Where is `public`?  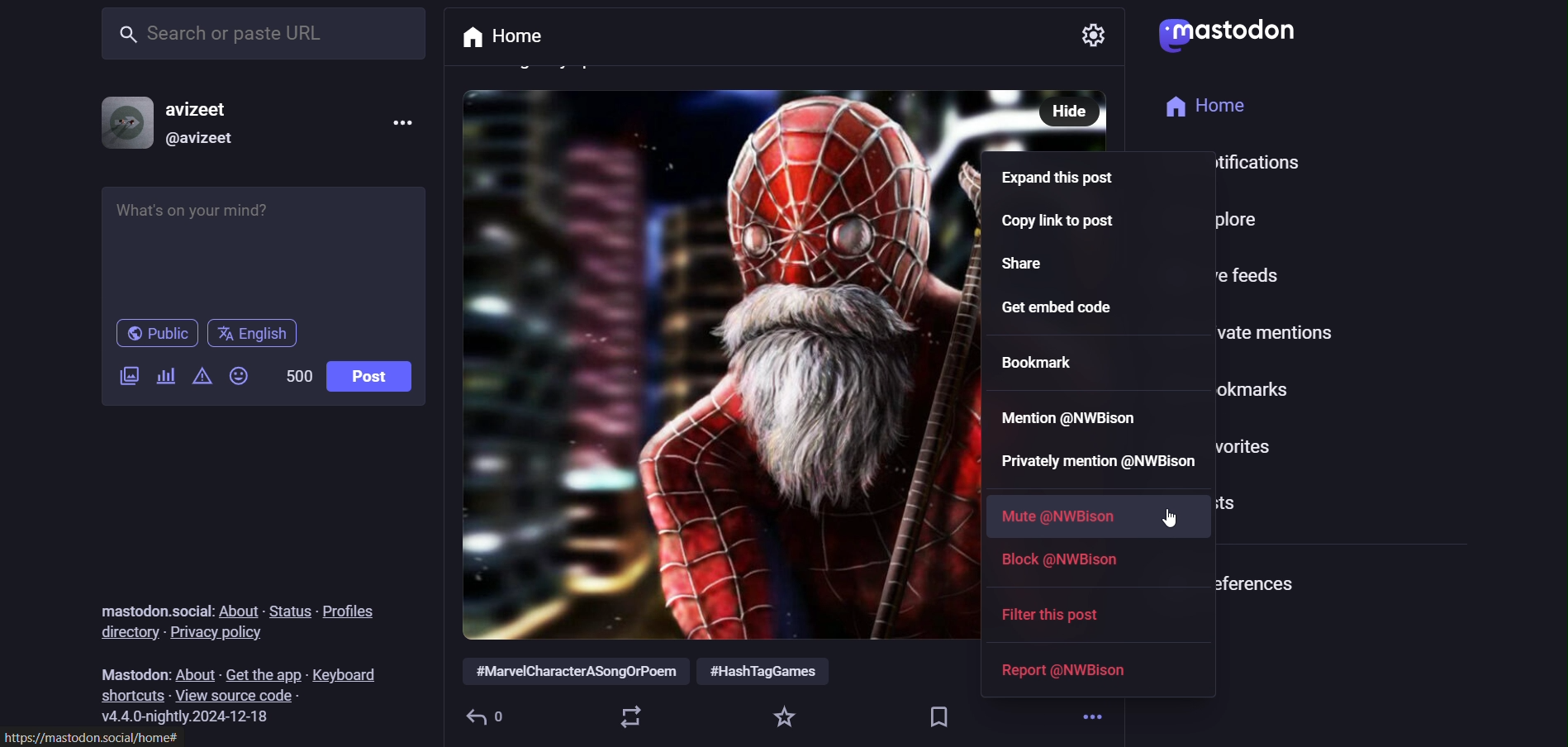 public is located at coordinates (158, 334).